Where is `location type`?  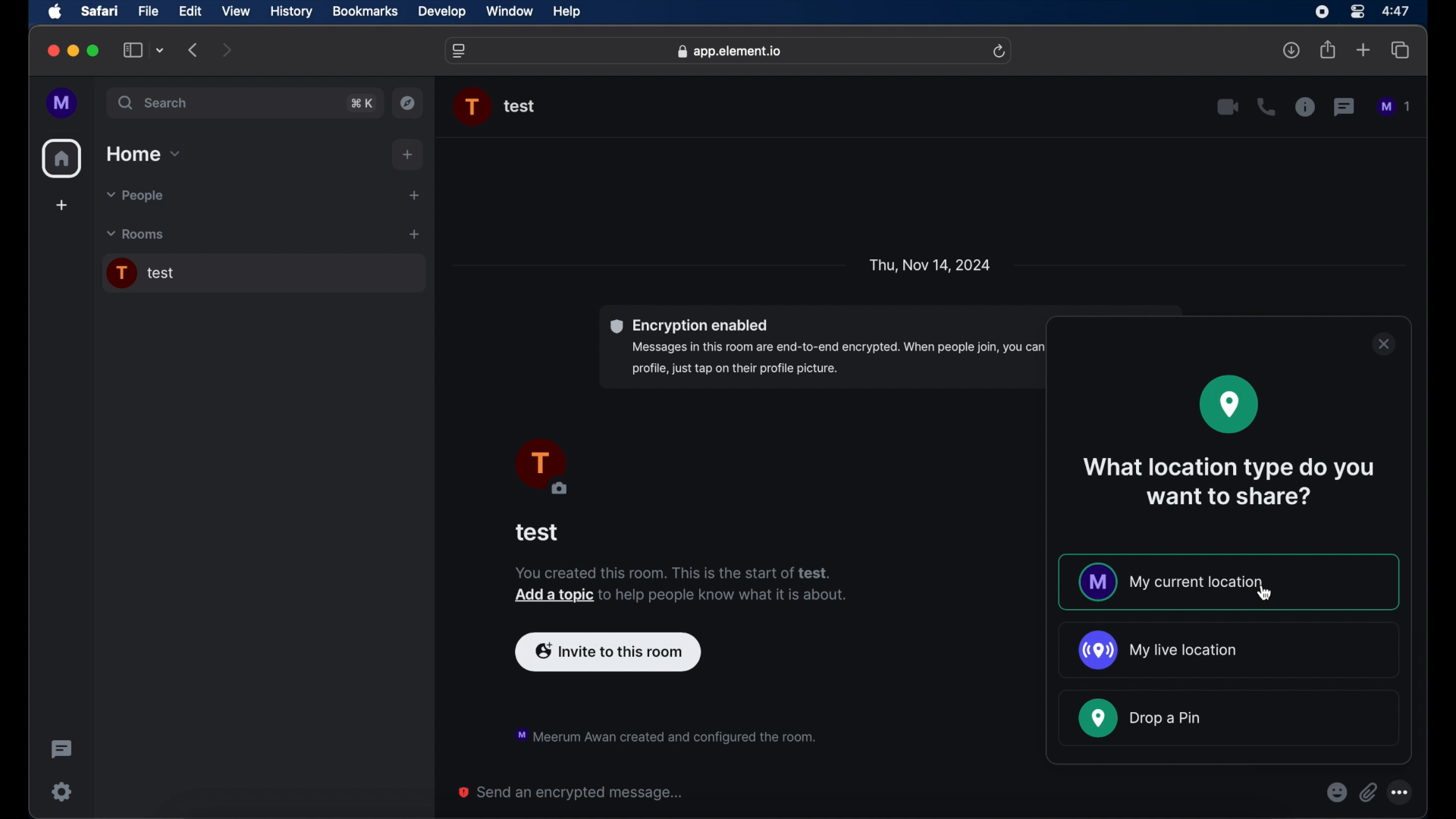
location type is located at coordinates (1232, 482).